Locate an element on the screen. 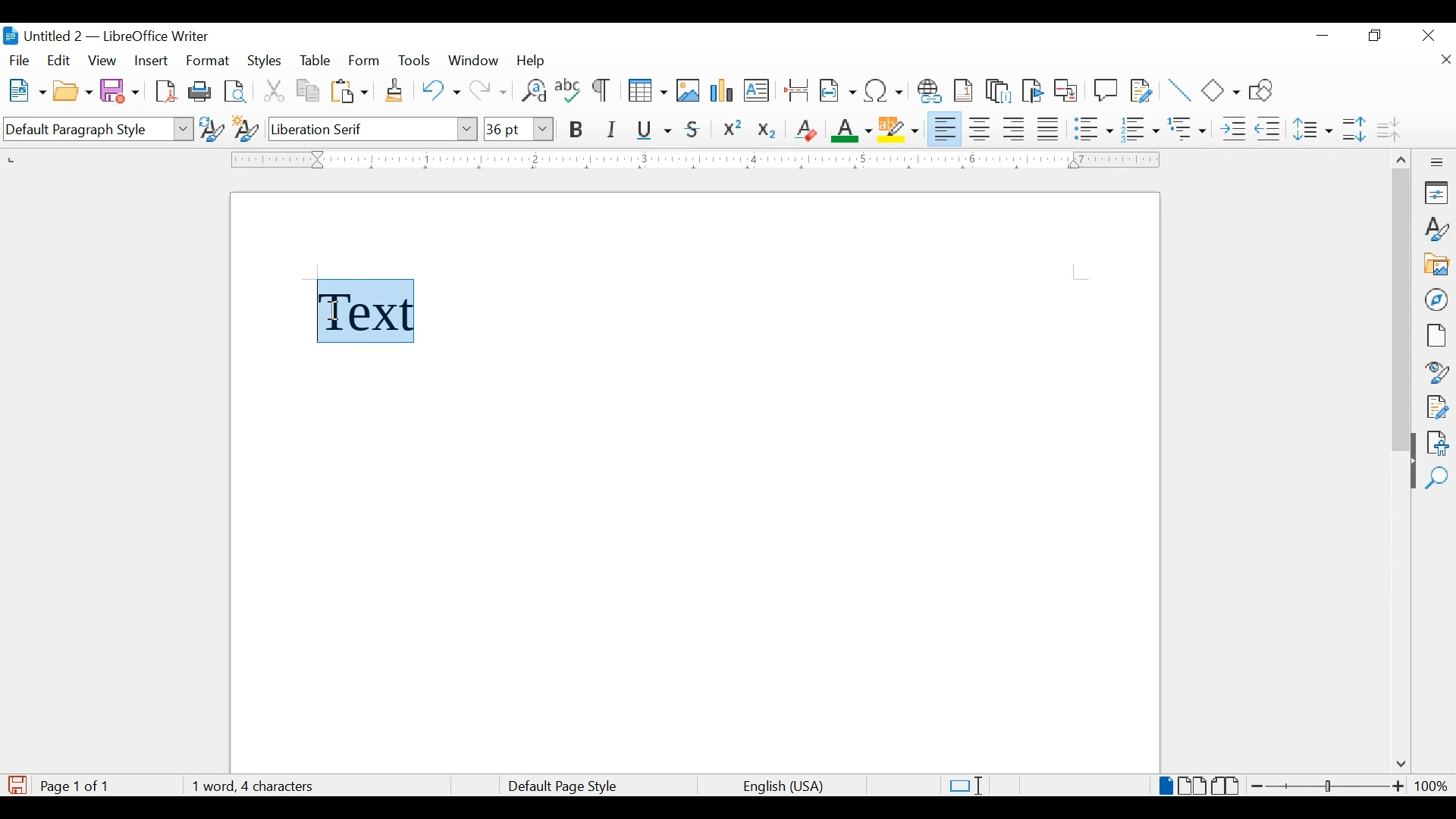 This screenshot has height=819, width=1456. align center is located at coordinates (982, 129).